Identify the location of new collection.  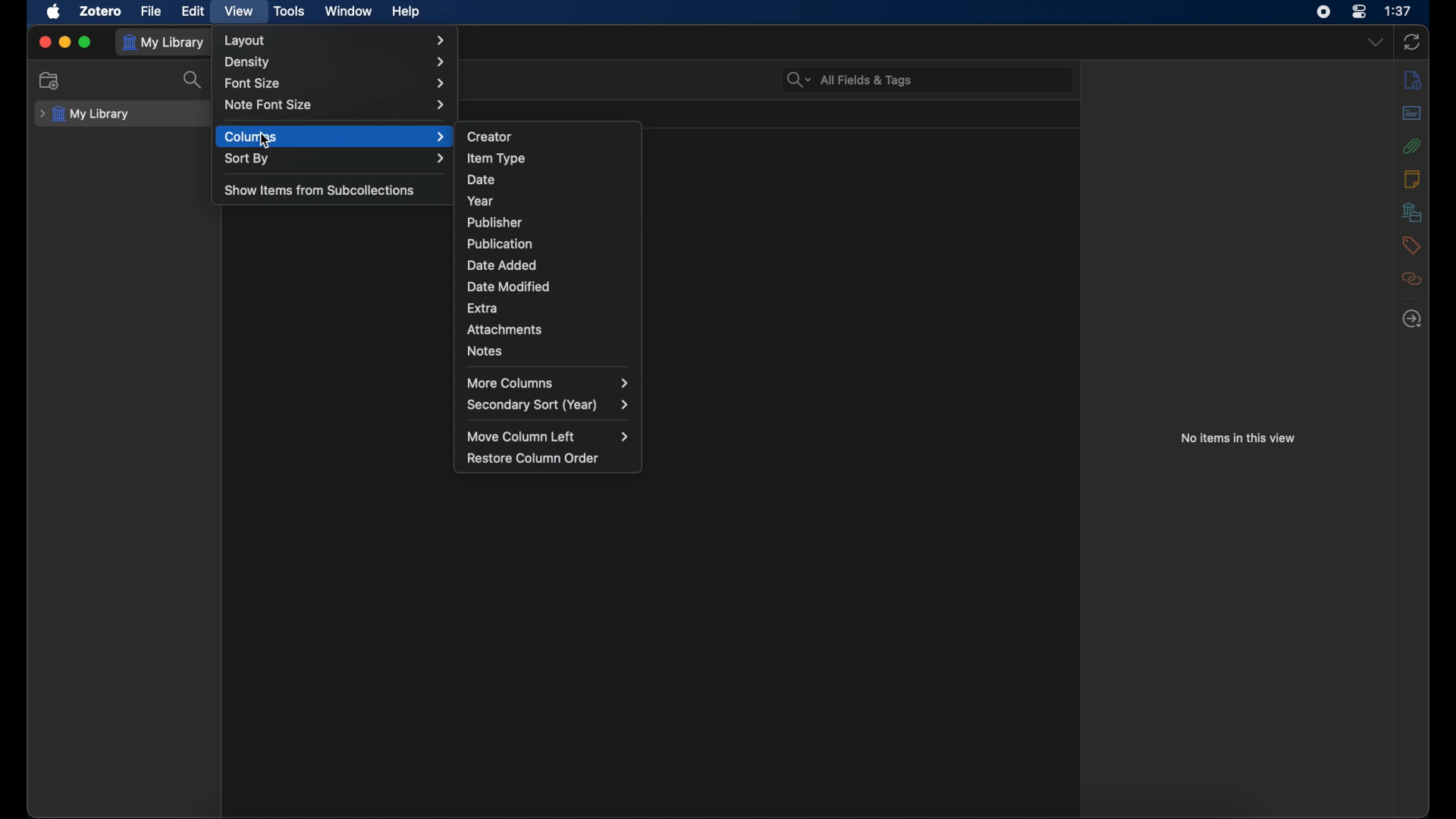
(51, 80).